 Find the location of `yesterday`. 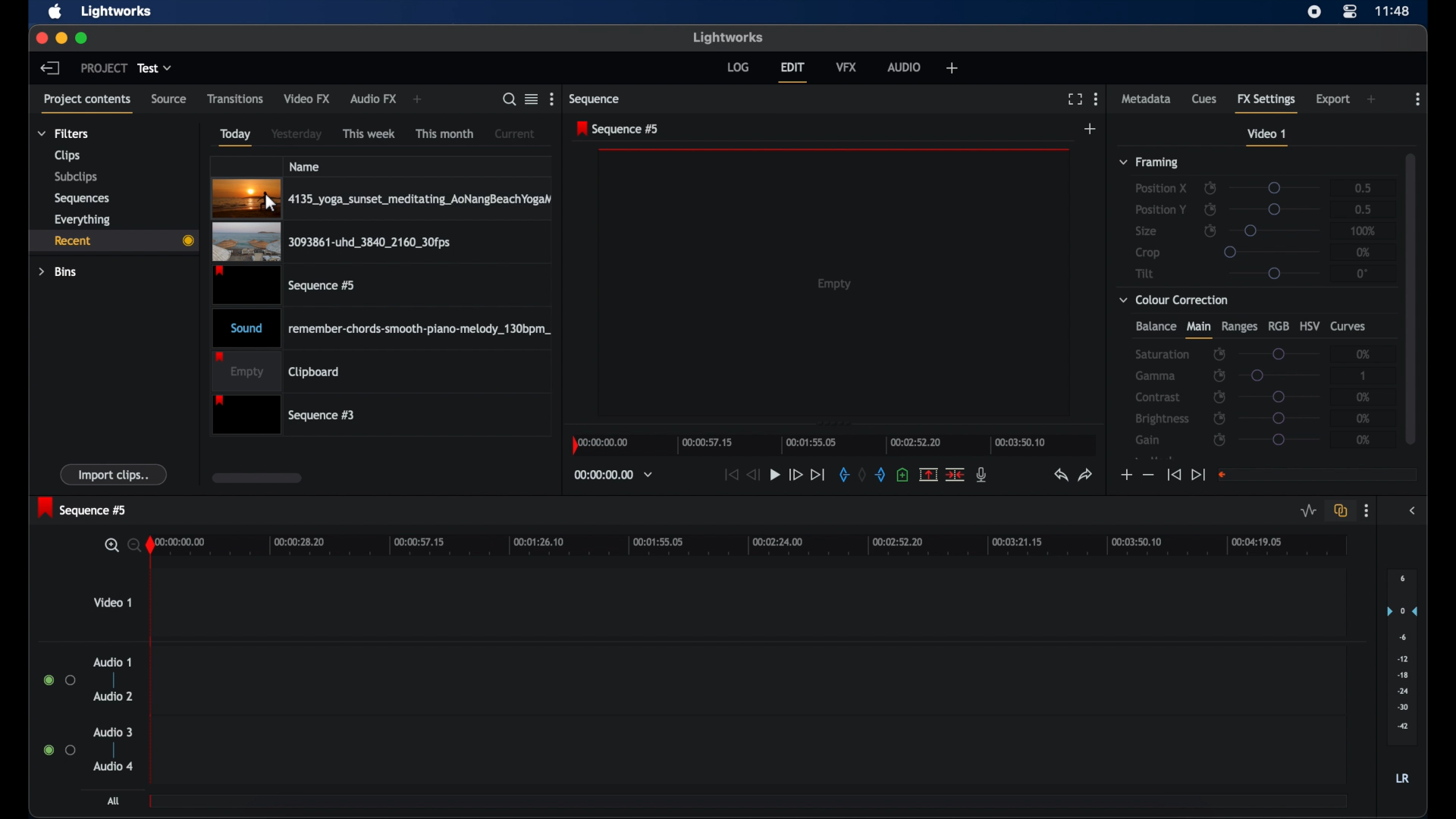

yesterday is located at coordinates (297, 134).